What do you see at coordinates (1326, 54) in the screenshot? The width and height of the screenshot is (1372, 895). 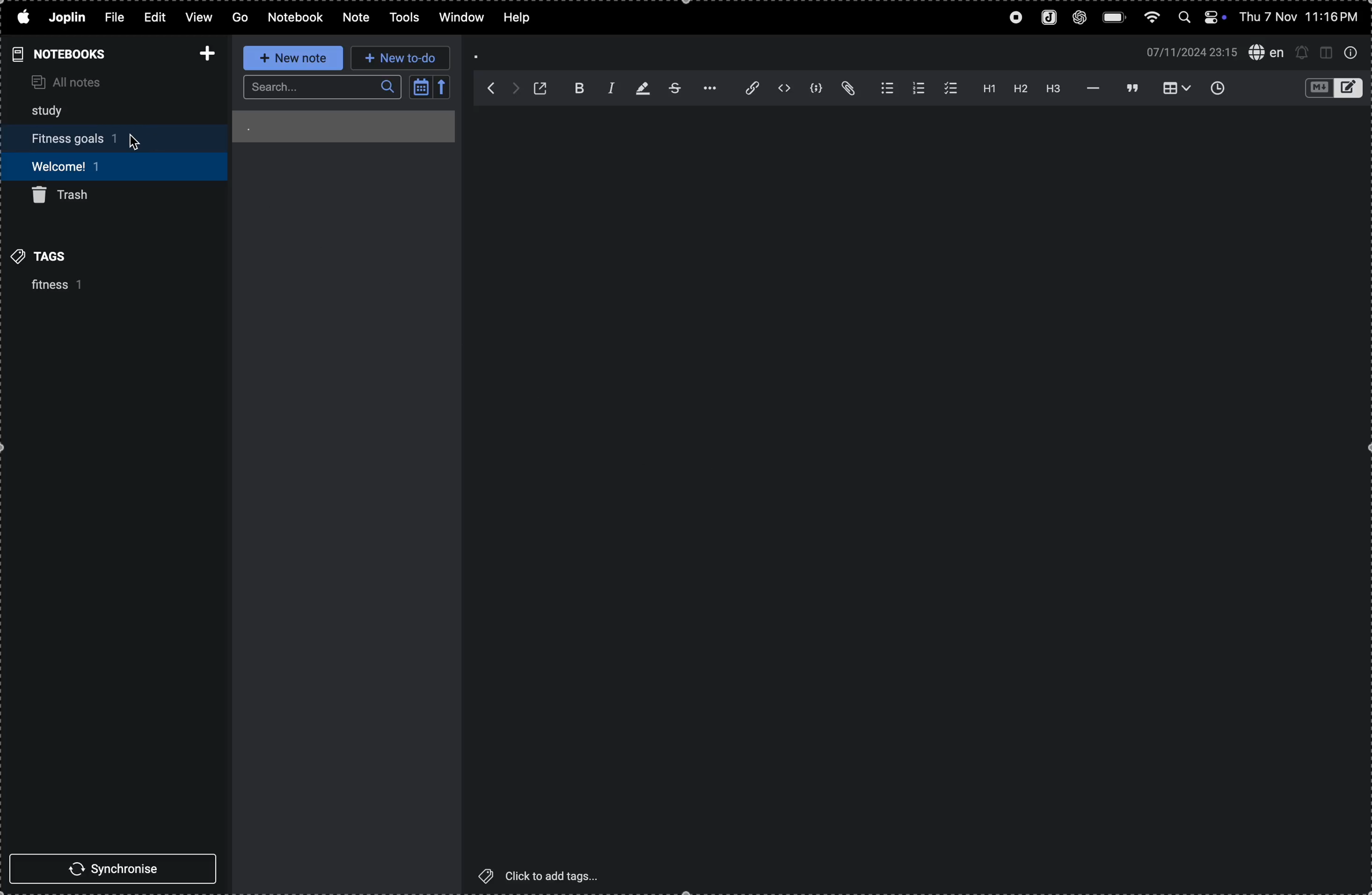 I see `toggle editor layout` at bounding box center [1326, 54].